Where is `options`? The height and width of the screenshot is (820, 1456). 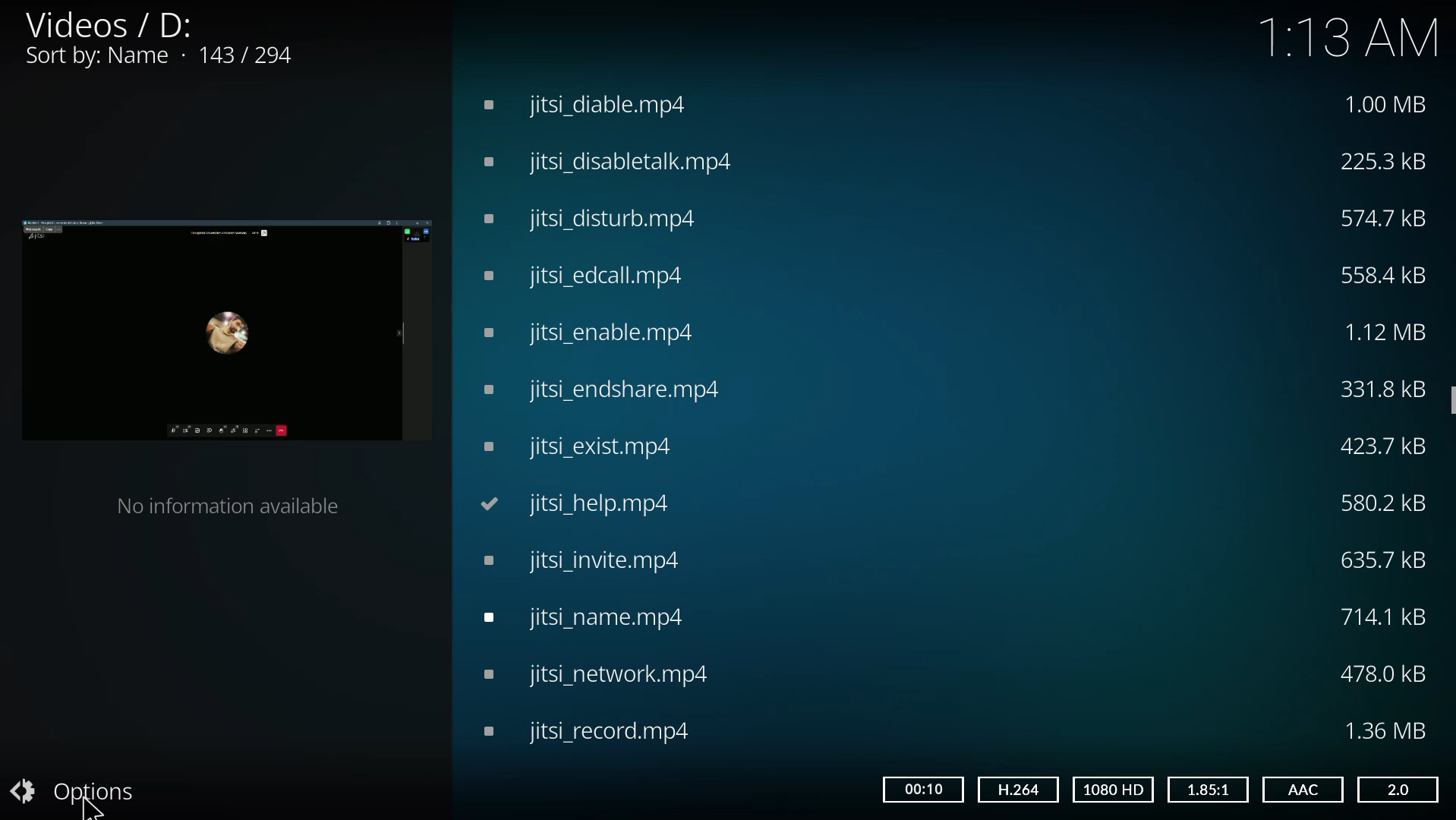
options is located at coordinates (84, 792).